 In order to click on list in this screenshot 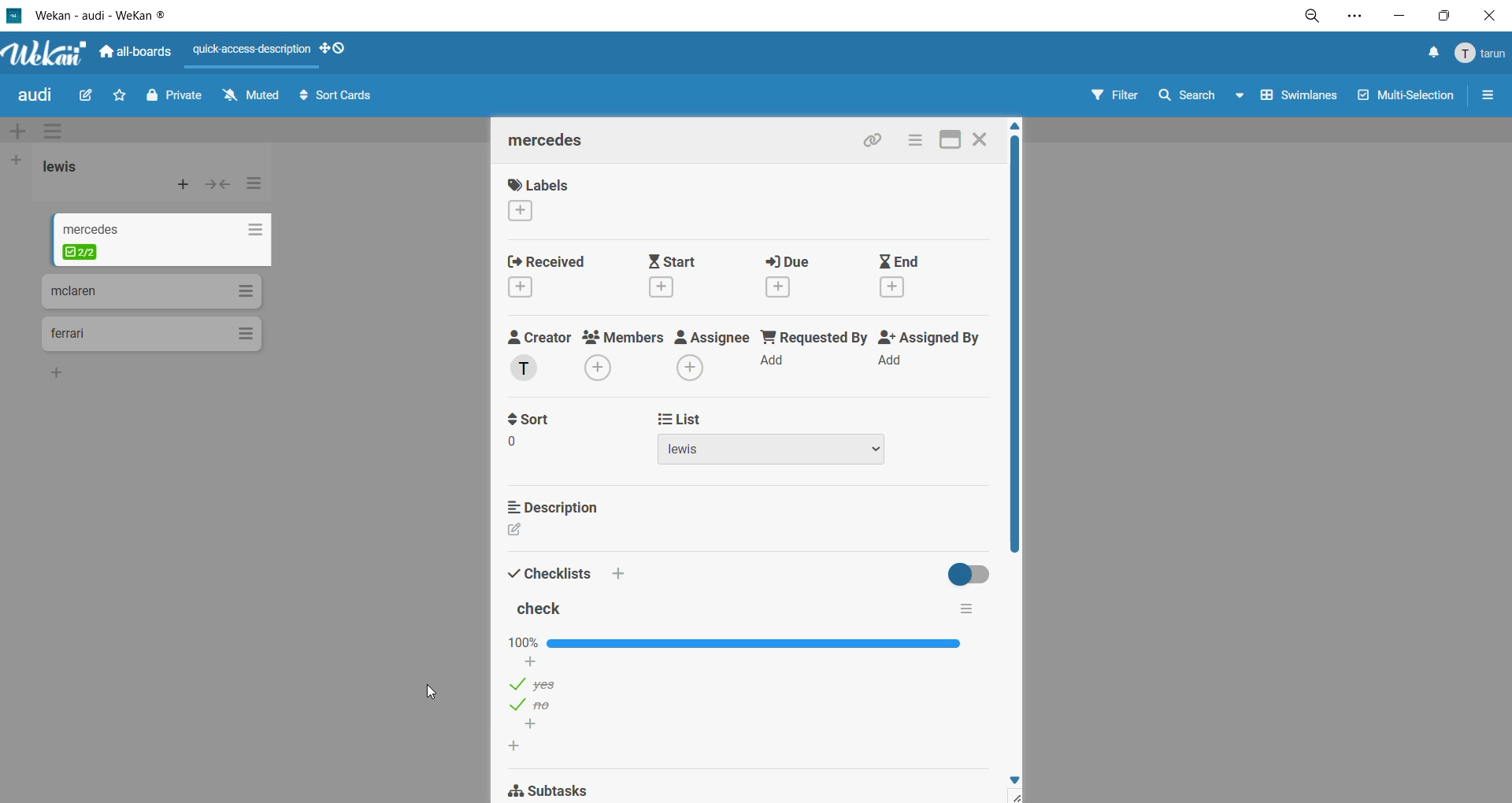, I will do `click(780, 439)`.